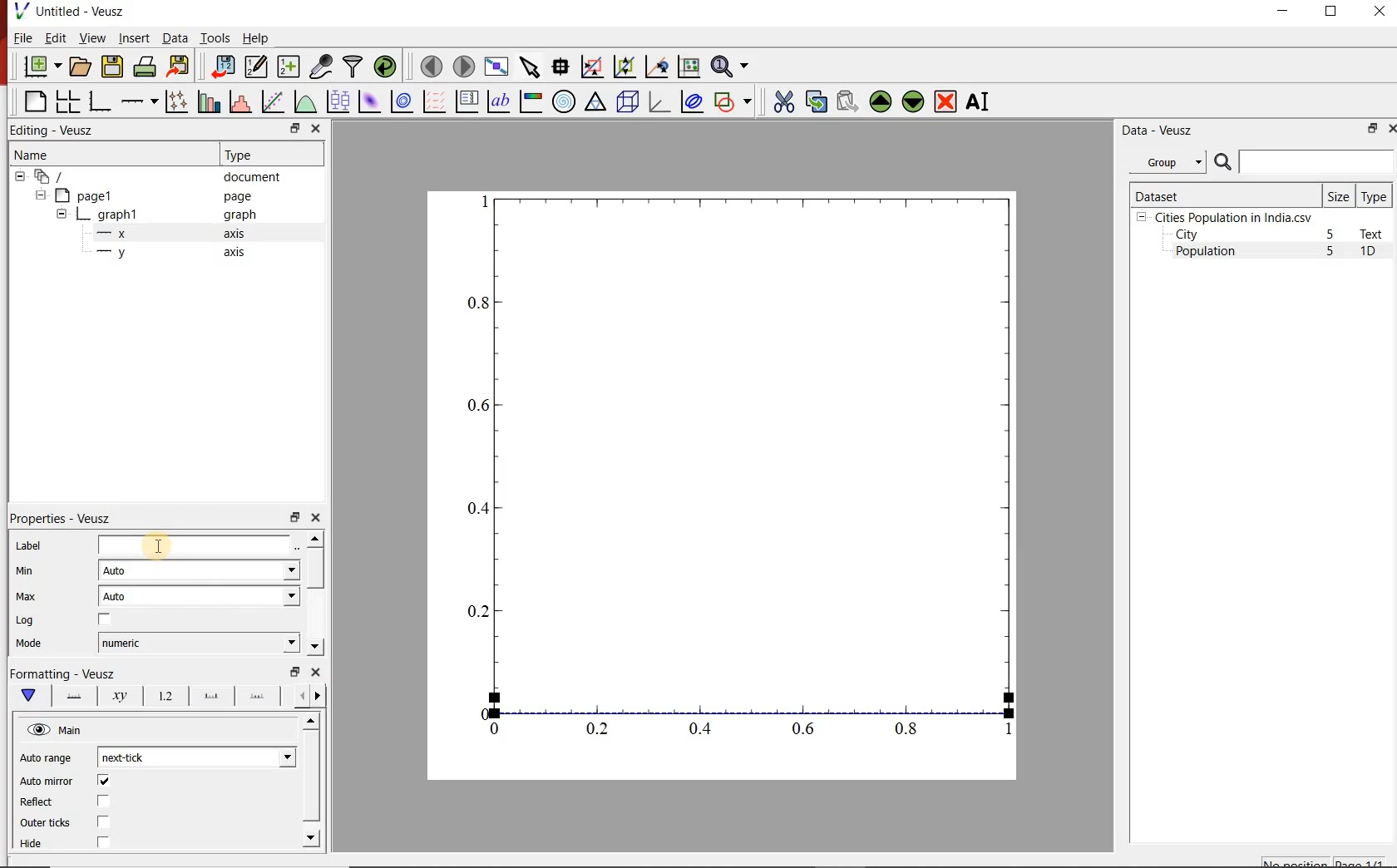 This screenshot has width=1397, height=868. What do you see at coordinates (199, 545) in the screenshot?
I see `input field` at bounding box center [199, 545].